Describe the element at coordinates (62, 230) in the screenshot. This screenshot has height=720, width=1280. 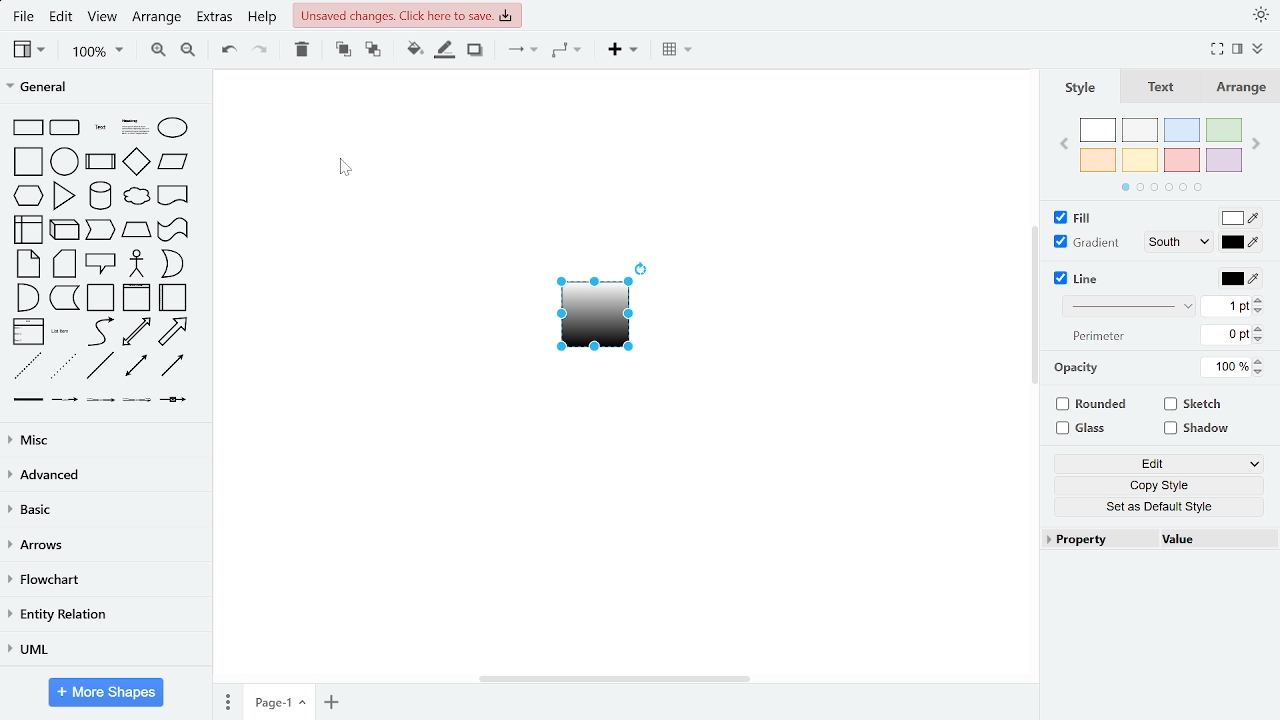
I see `general shapes` at that location.